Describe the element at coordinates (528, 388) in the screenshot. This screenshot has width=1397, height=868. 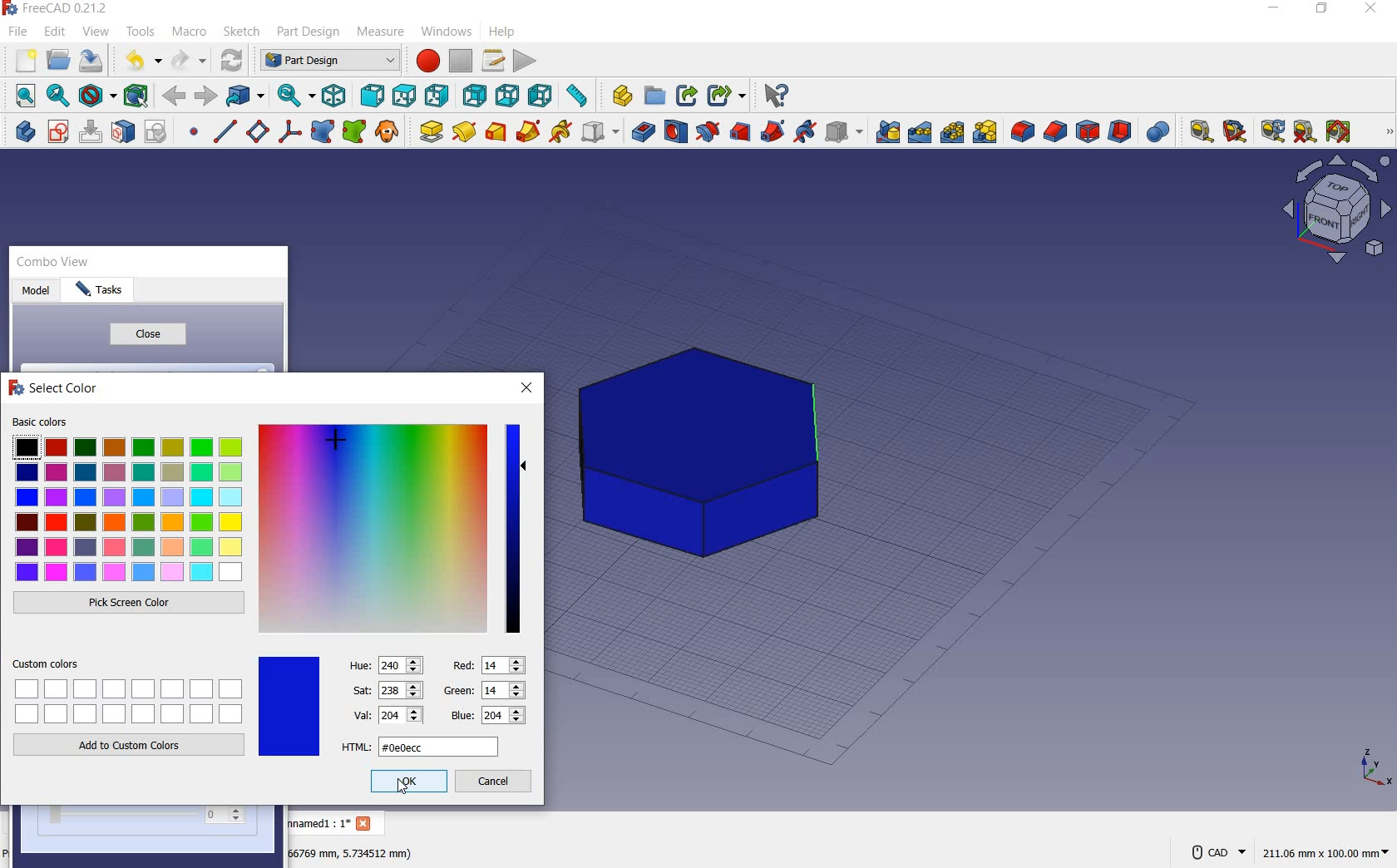
I see `close` at that location.